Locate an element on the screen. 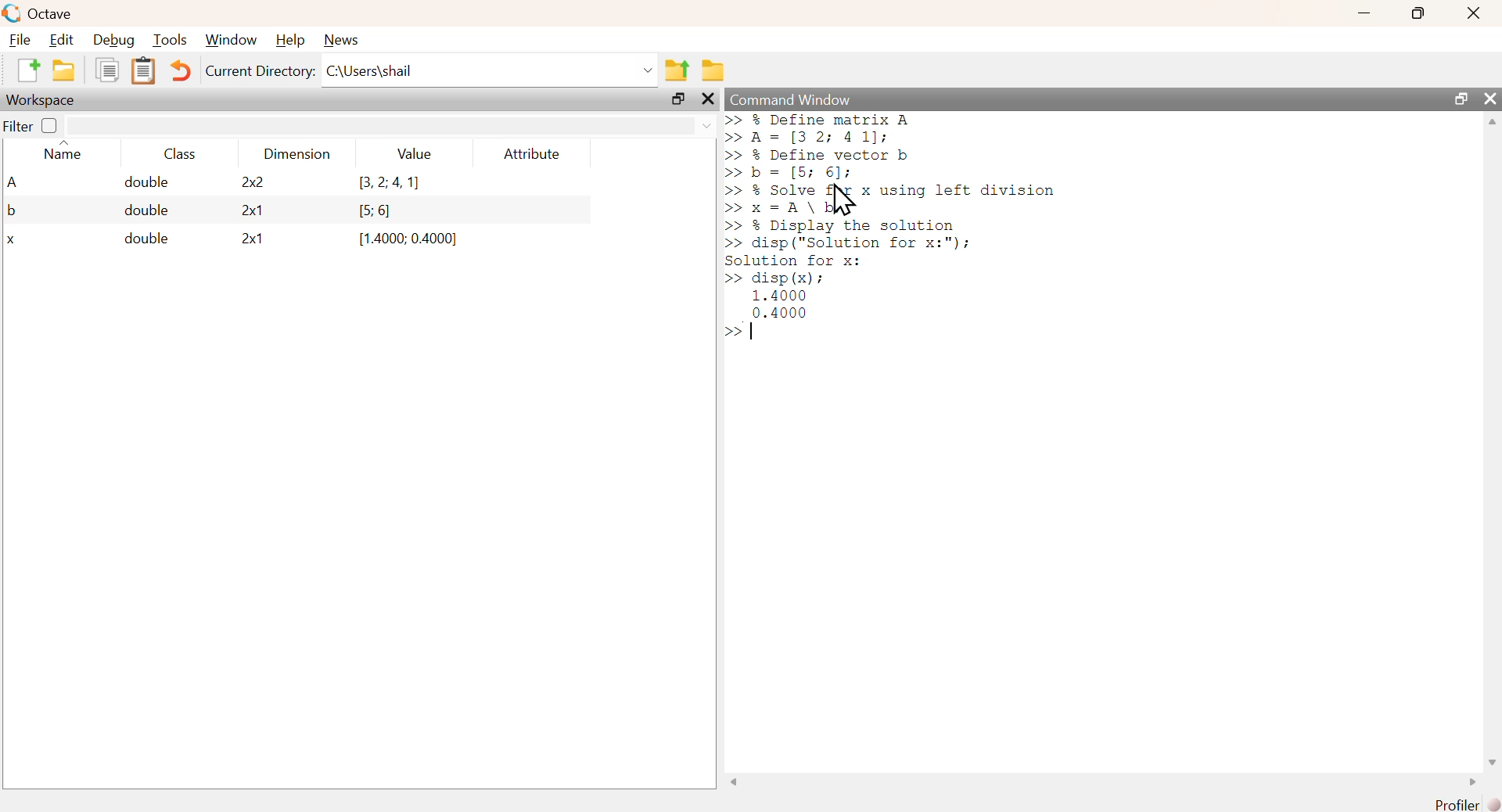 The image size is (1502, 812). A is located at coordinates (15, 183).